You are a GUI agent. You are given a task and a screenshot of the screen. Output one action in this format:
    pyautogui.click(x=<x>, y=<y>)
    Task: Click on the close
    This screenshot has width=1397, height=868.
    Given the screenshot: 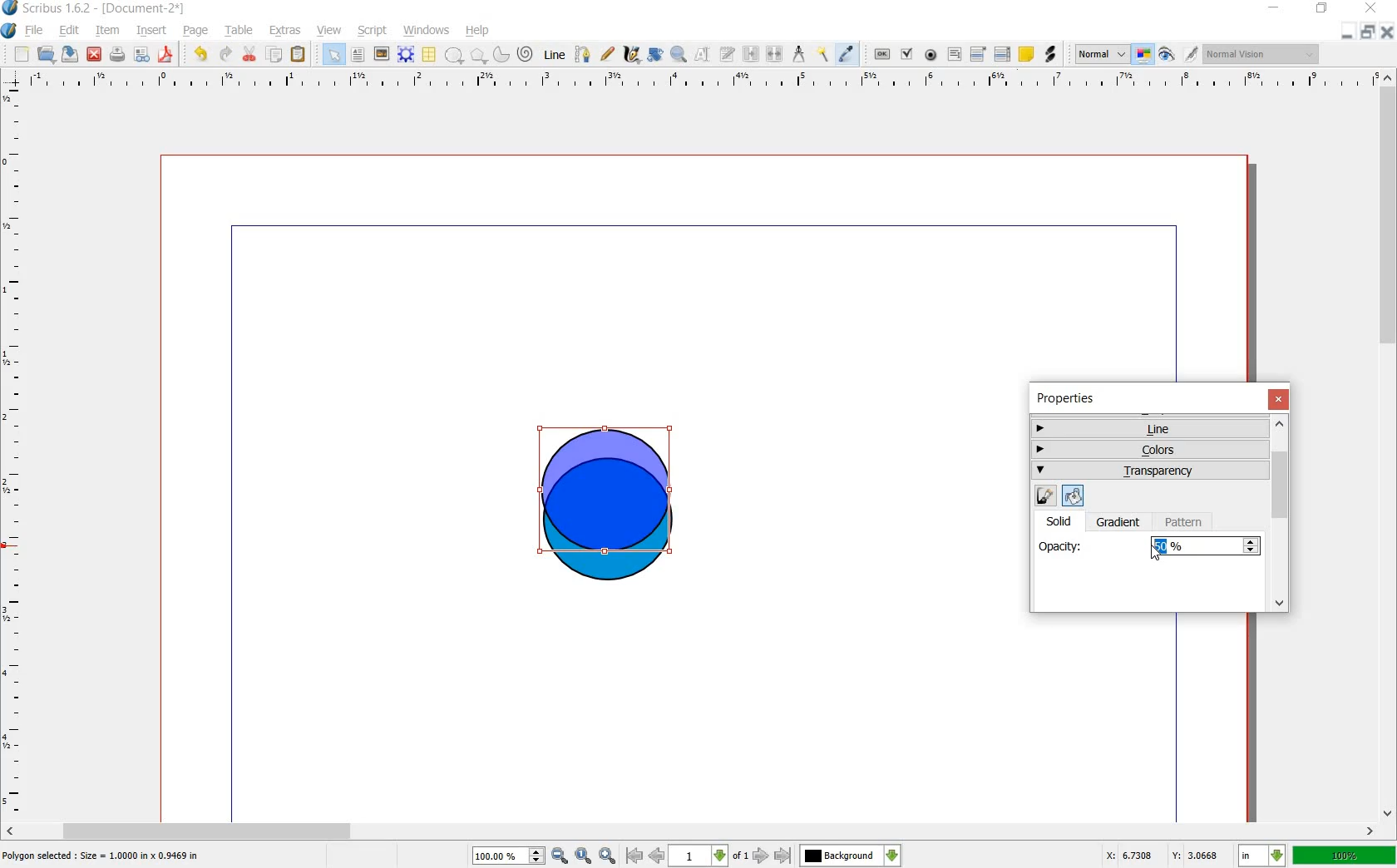 What is the action you would take?
    pyautogui.click(x=1374, y=8)
    